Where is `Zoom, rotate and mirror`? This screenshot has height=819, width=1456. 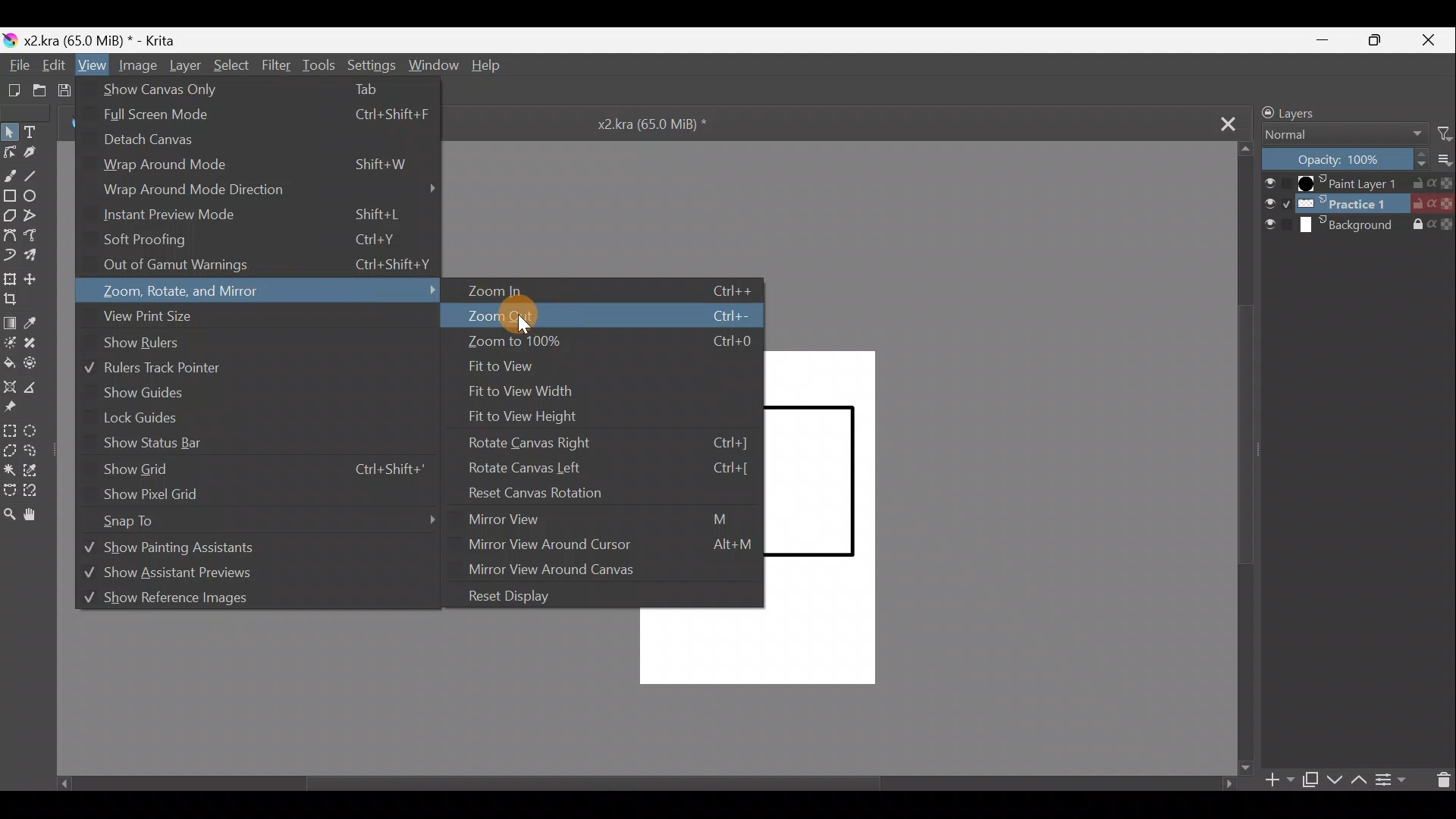 Zoom, rotate and mirror is located at coordinates (265, 292).